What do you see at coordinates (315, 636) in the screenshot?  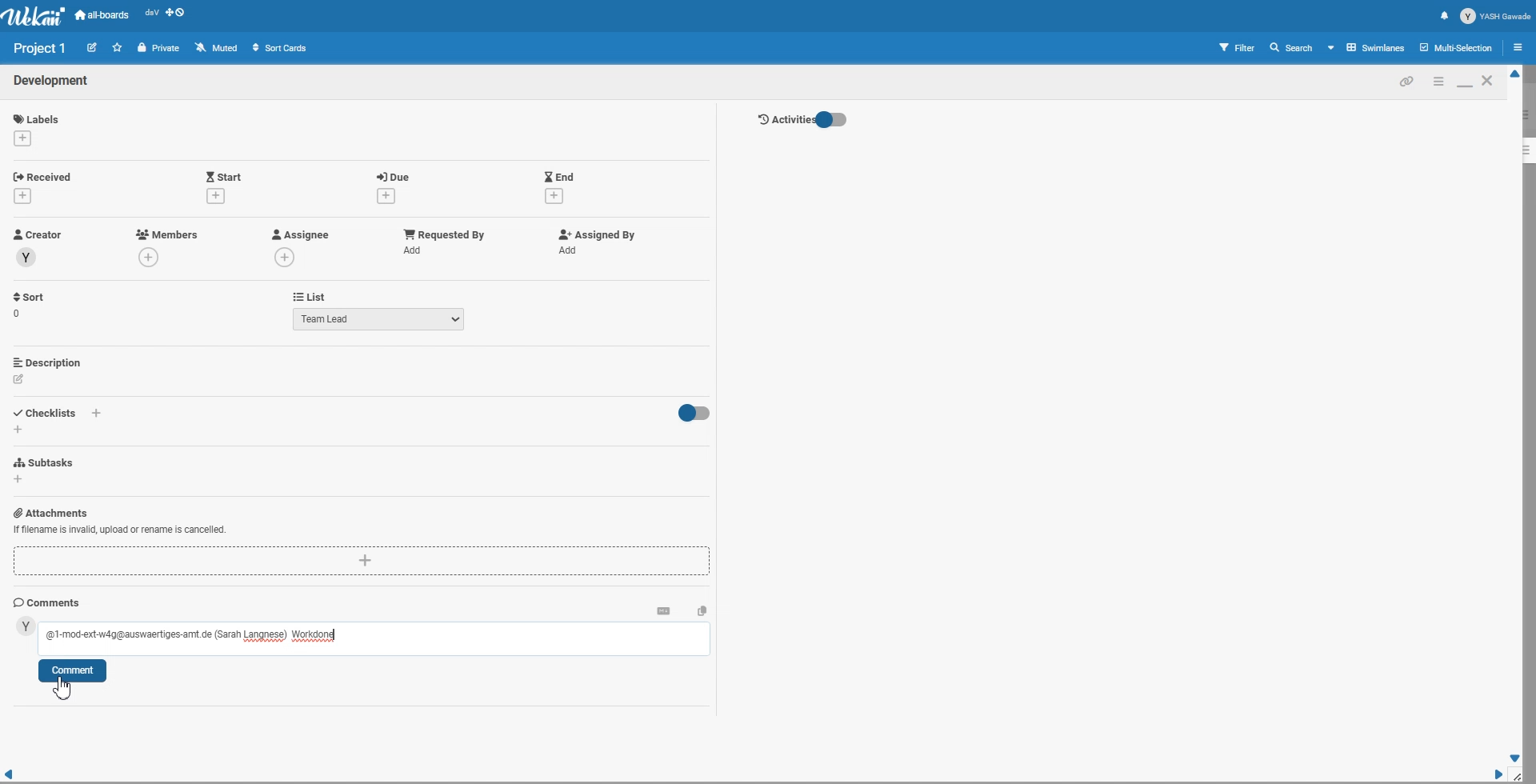 I see `Text` at bounding box center [315, 636].